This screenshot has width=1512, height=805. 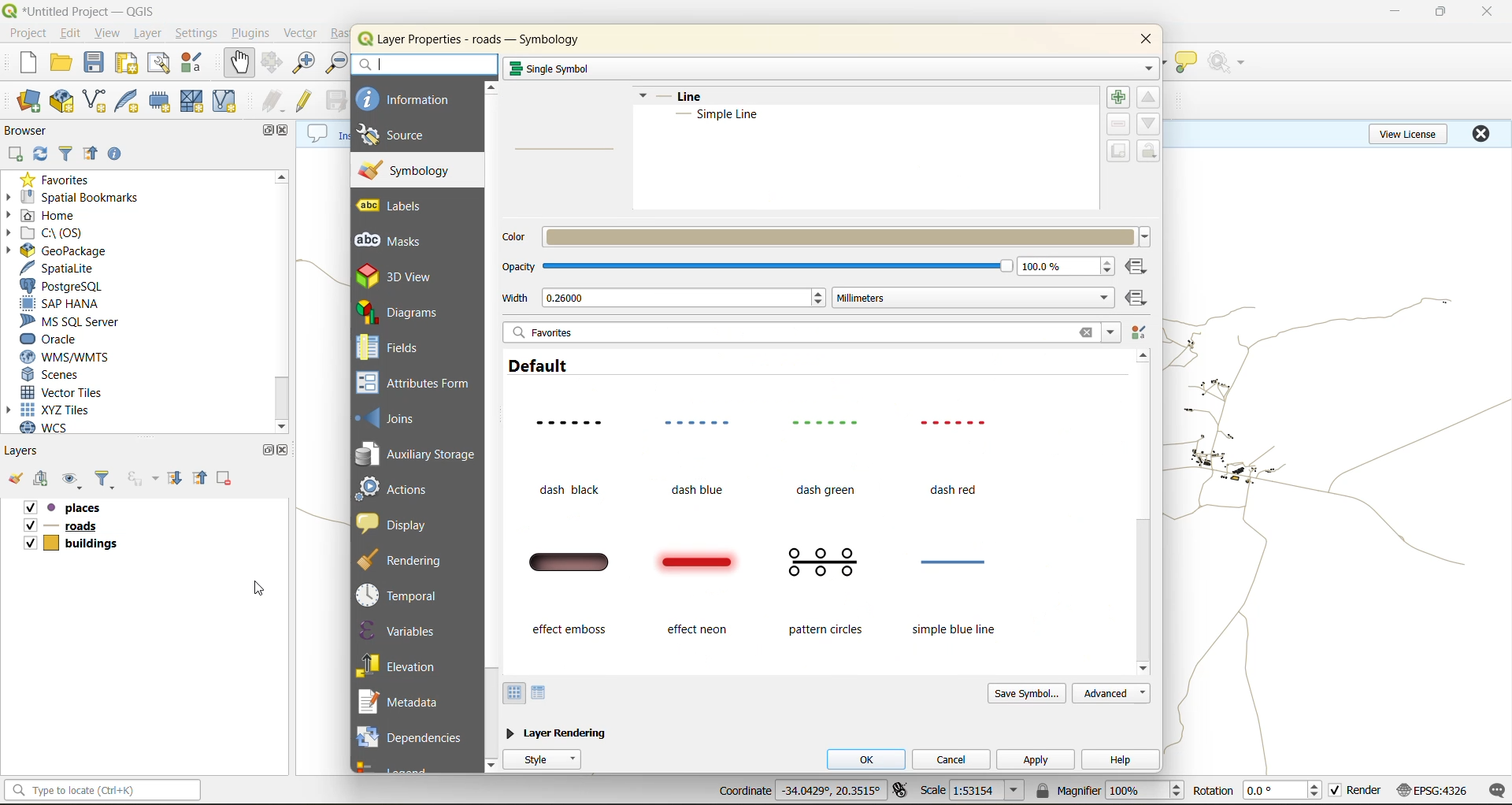 I want to click on new spatialite, so click(x=128, y=102).